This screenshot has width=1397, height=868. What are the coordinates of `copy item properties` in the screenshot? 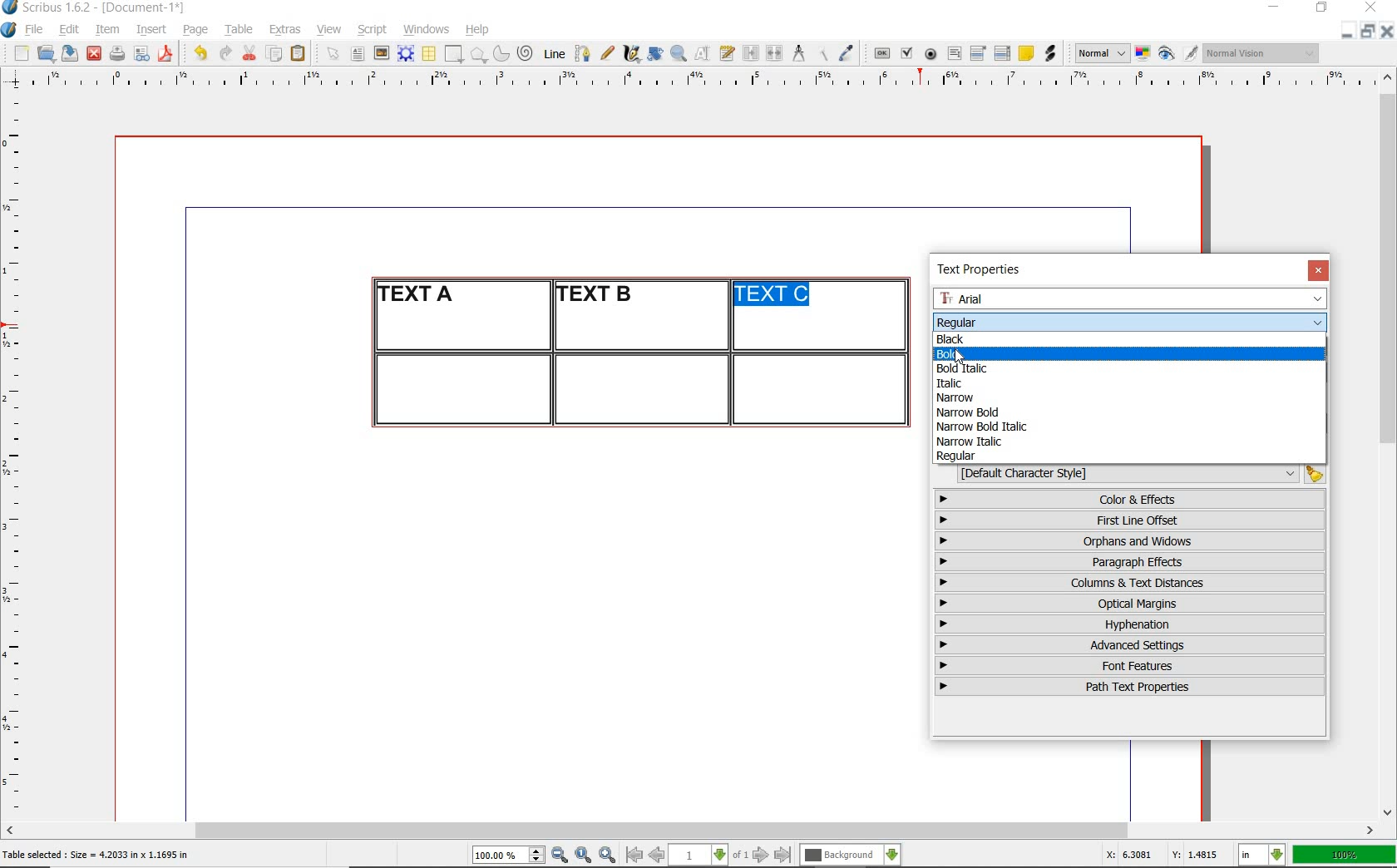 It's located at (822, 53).